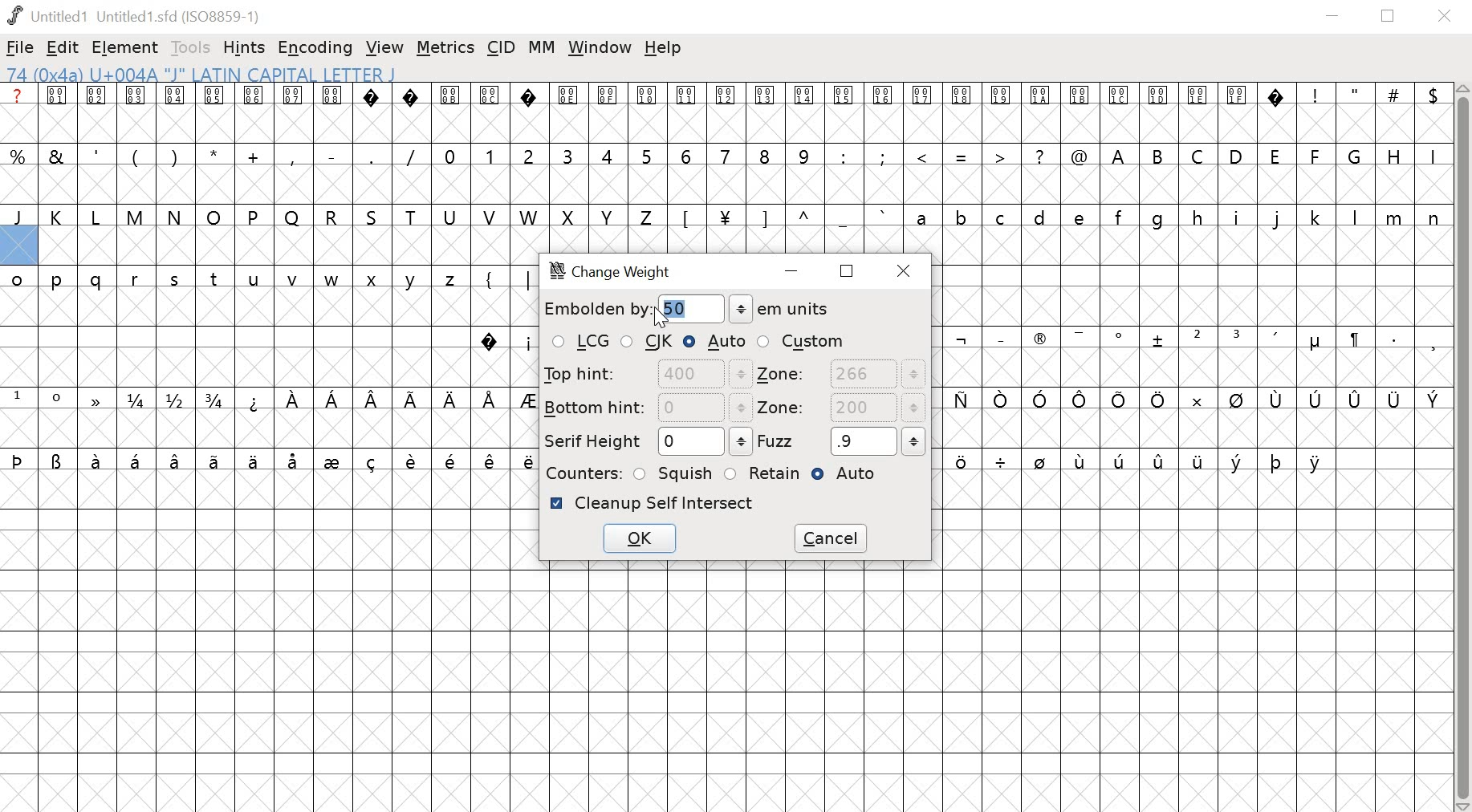 This screenshot has height=812, width=1472. I want to click on MM, so click(543, 47).